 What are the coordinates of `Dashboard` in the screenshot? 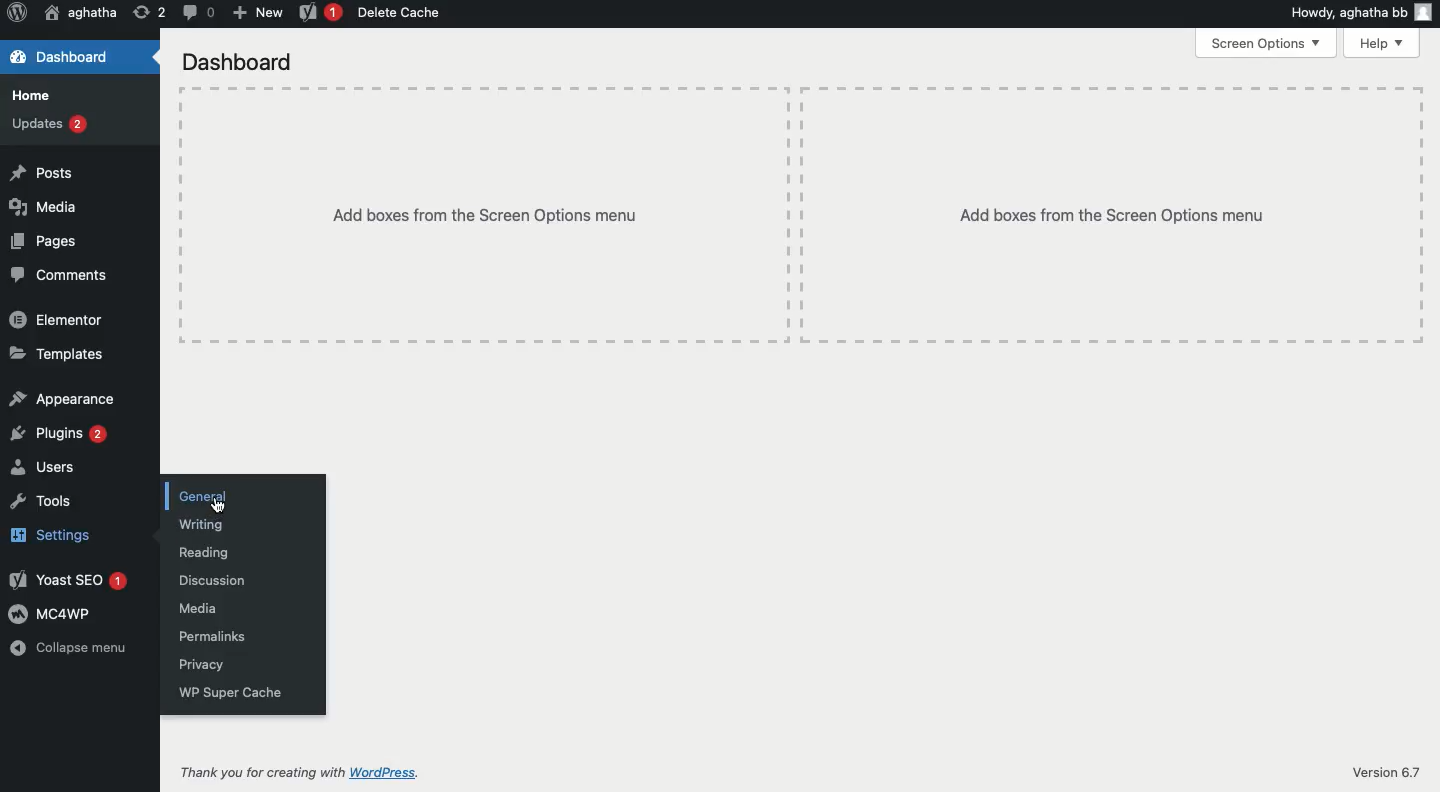 It's located at (238, 62).